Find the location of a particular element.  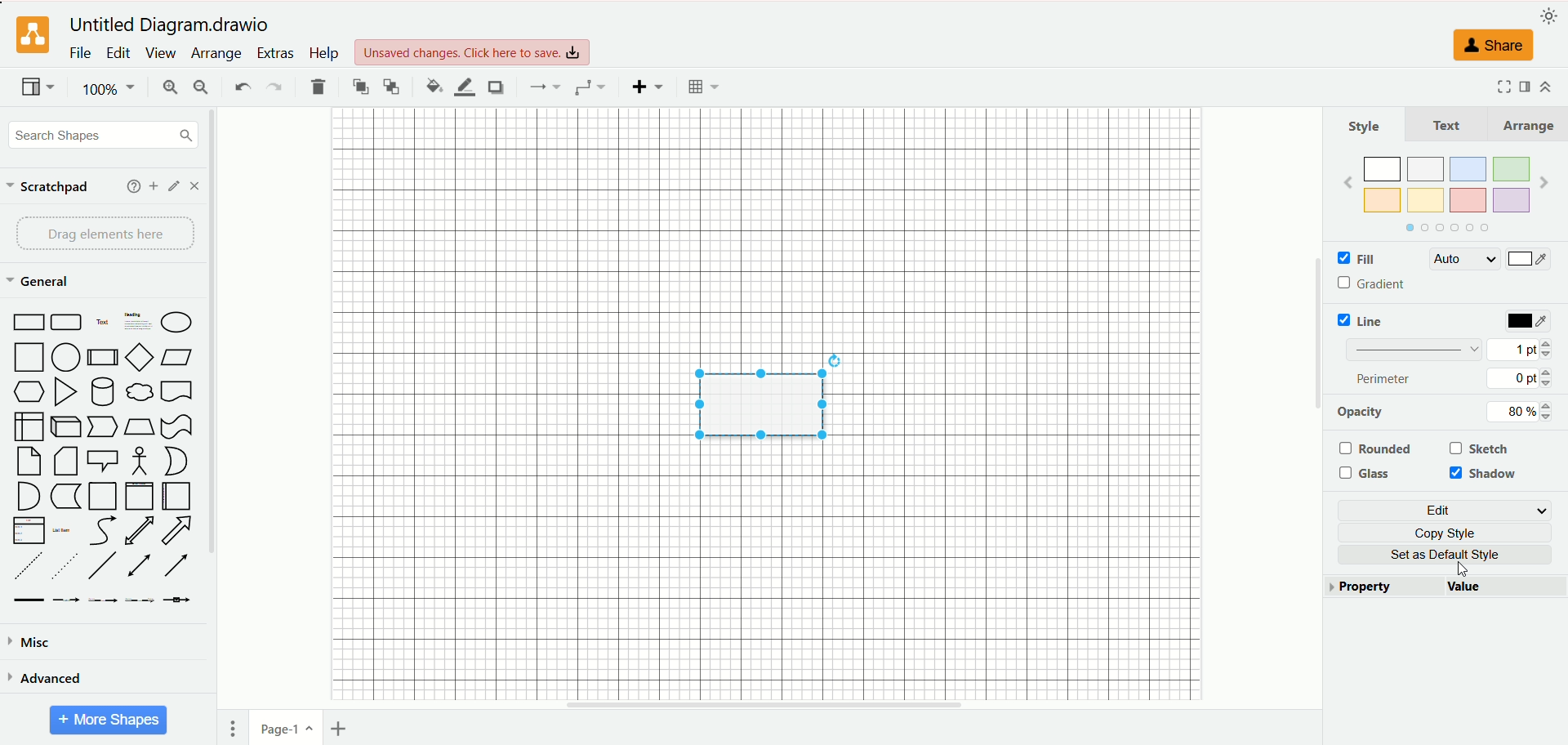

edit is located at coordinates (175, 186).